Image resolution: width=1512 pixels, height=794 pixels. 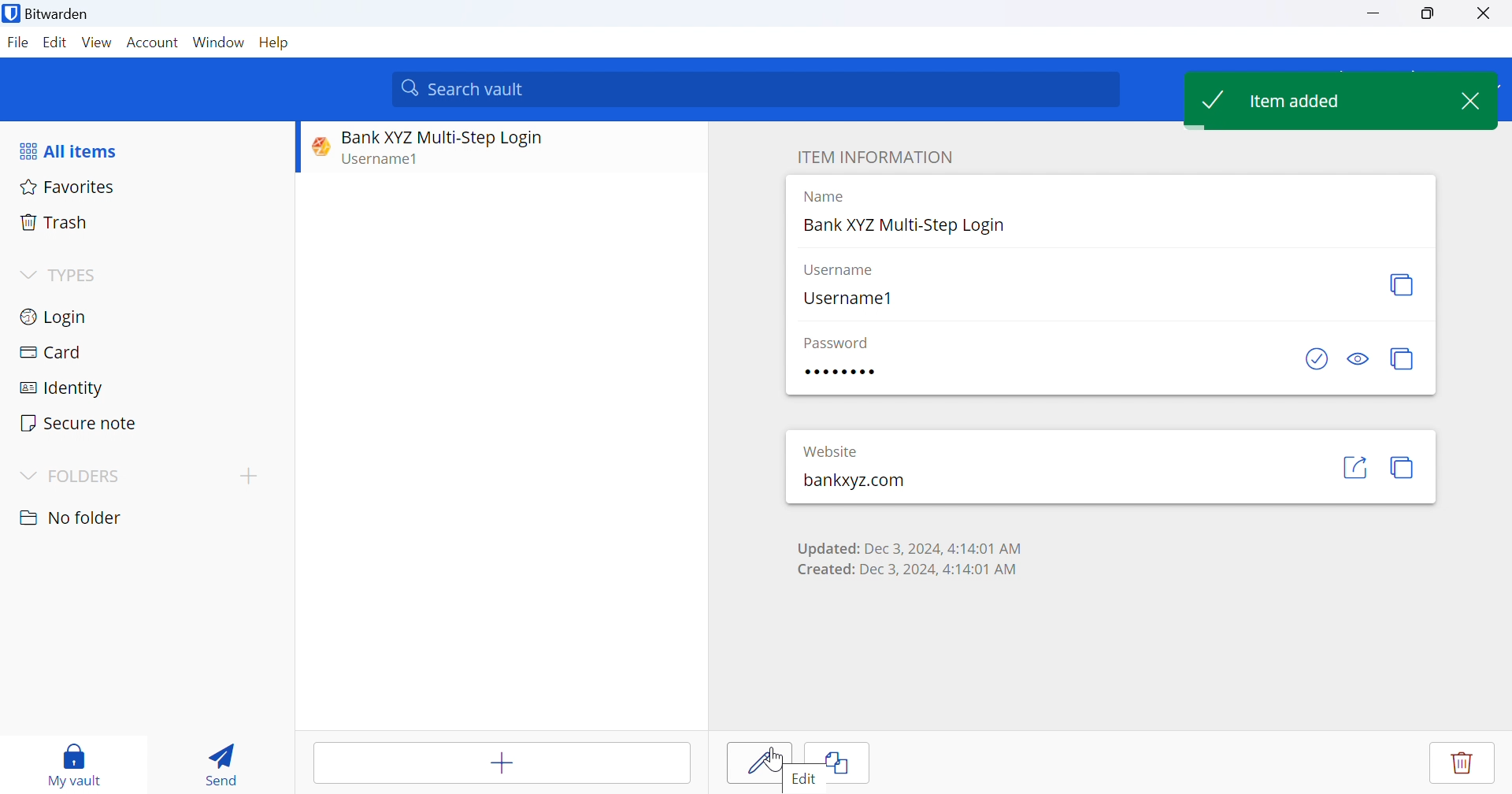 What do you see at coordinates (62, 388) in the screenshot?
I see `Identity` at bounding box center [62, 388].